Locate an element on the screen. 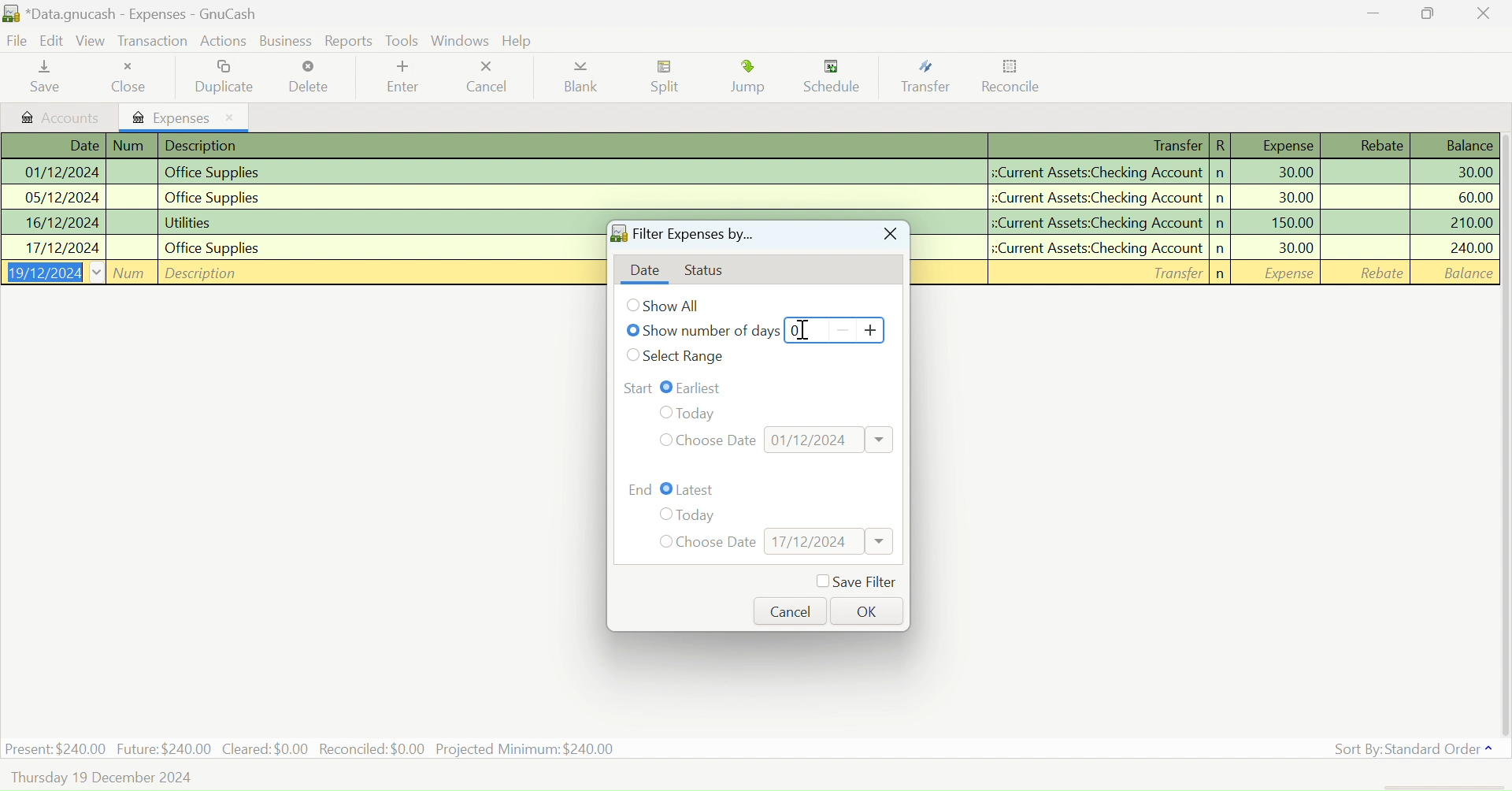  Office Supplies Transaction is located at coordinates (299, 247).